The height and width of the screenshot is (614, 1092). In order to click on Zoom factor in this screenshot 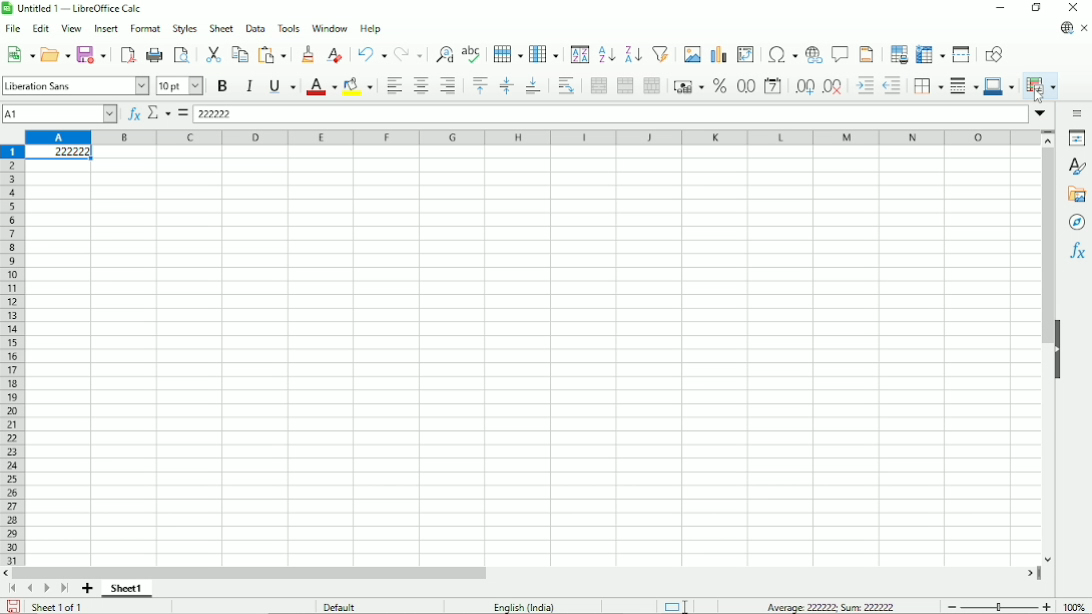, I will do `click(1074, 606)`.